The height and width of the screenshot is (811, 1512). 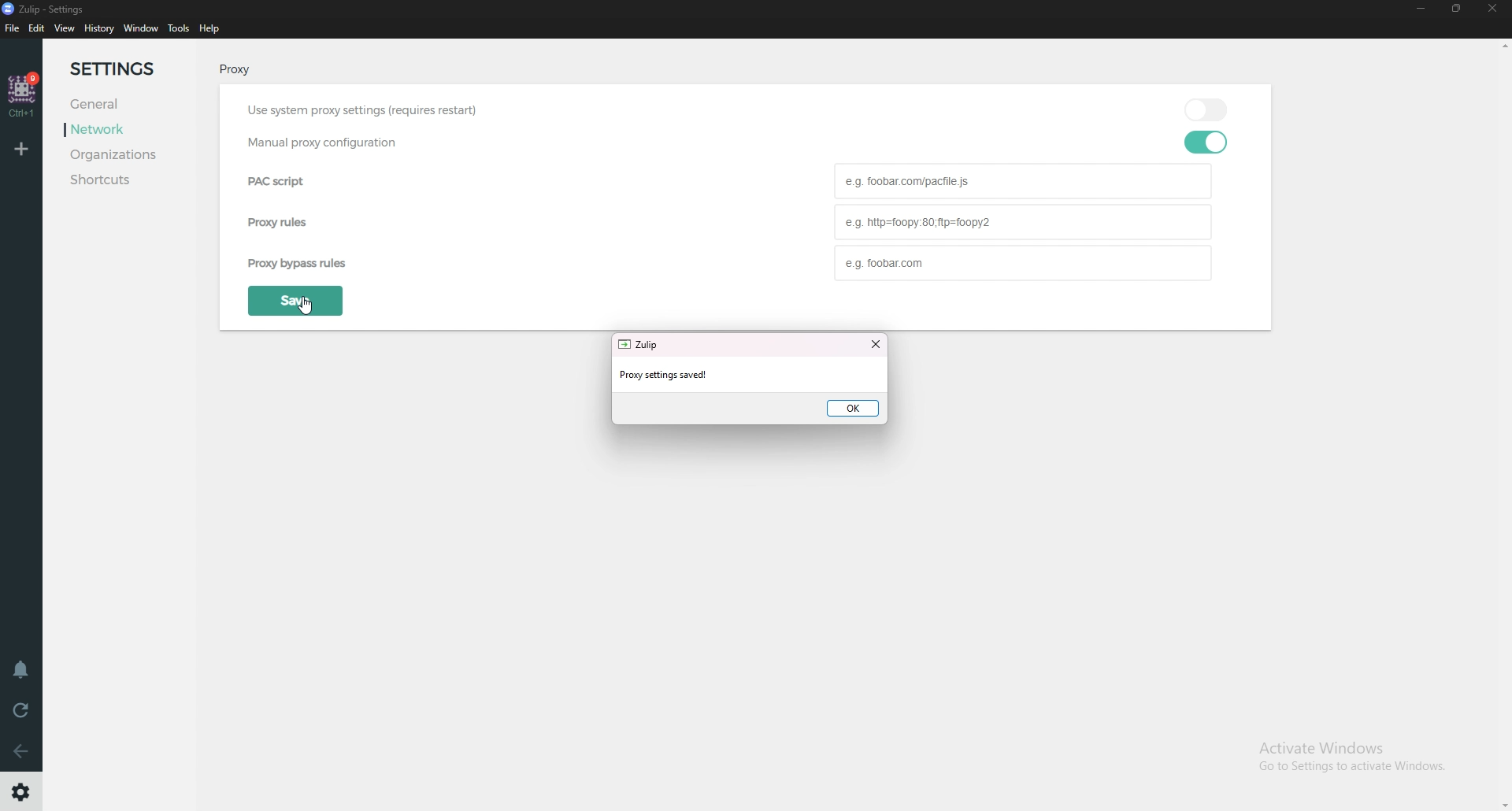 I want to click on Minimize, so click(x=1421, y=9).